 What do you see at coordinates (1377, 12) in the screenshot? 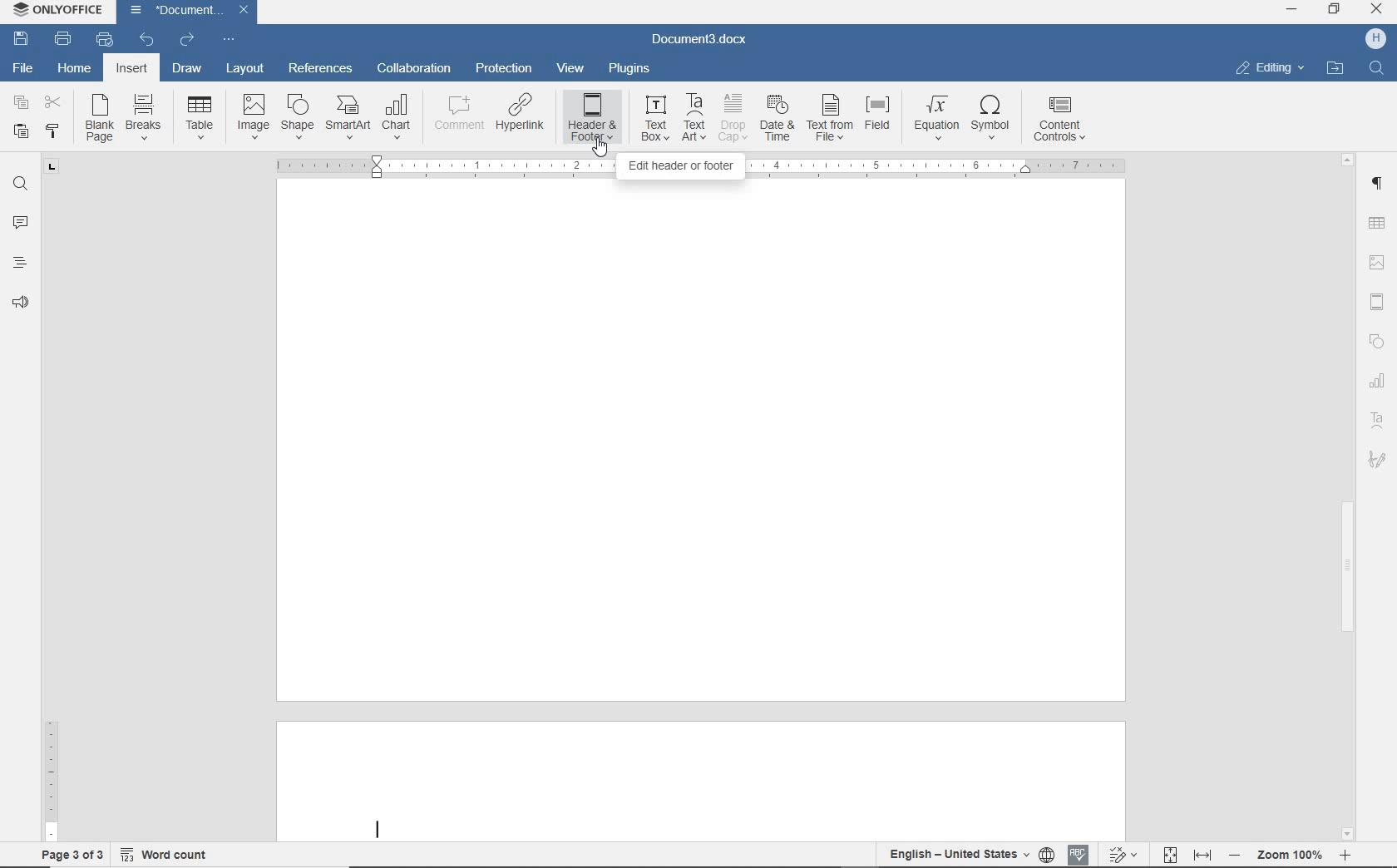
I see `CLOSE` at bounding box center [1377, 12].